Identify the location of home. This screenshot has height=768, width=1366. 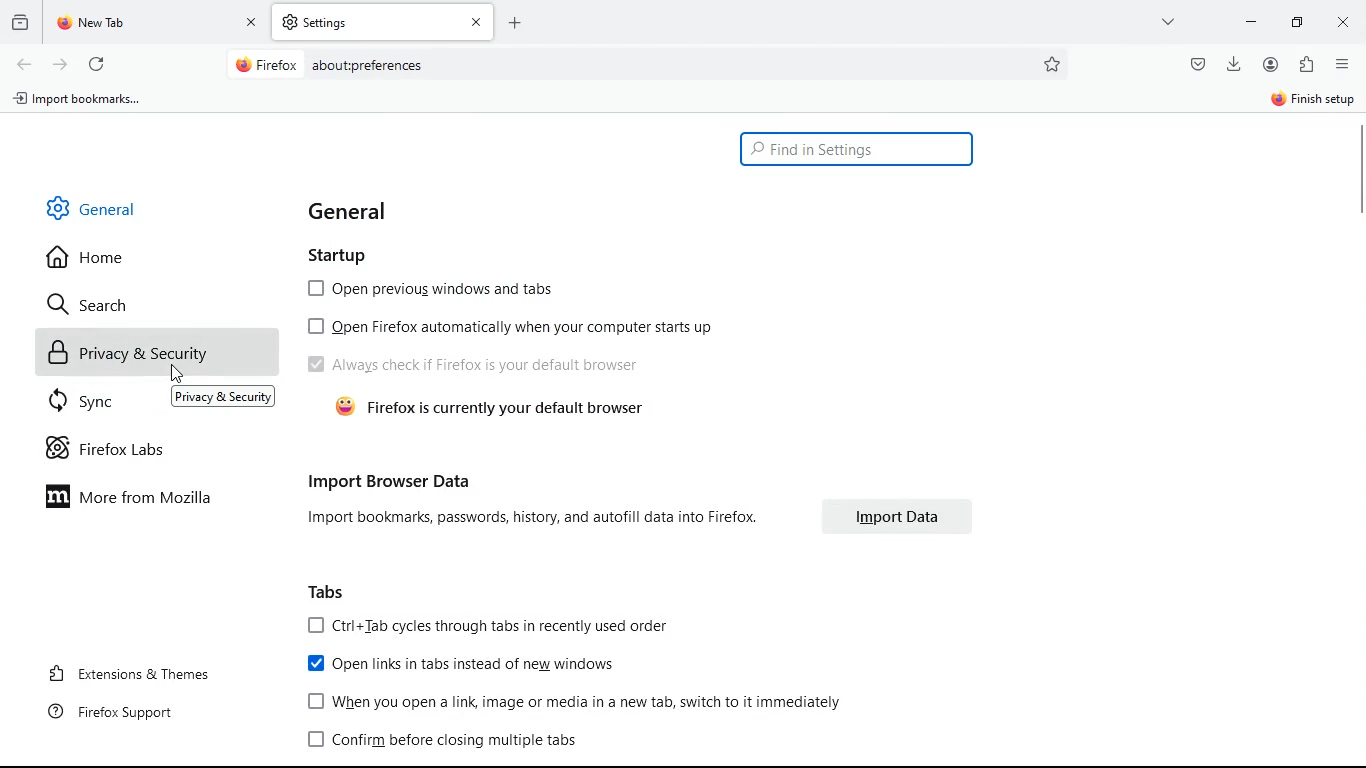
(94, 257).